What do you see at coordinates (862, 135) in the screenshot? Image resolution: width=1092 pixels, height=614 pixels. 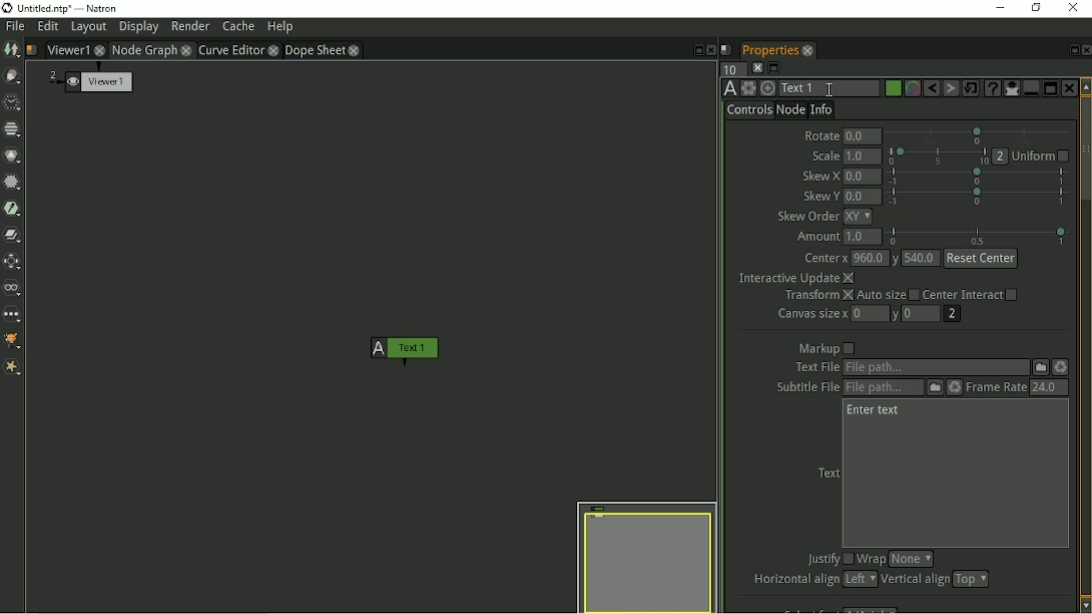 I see `0.0` at bounding box center [862, 135].